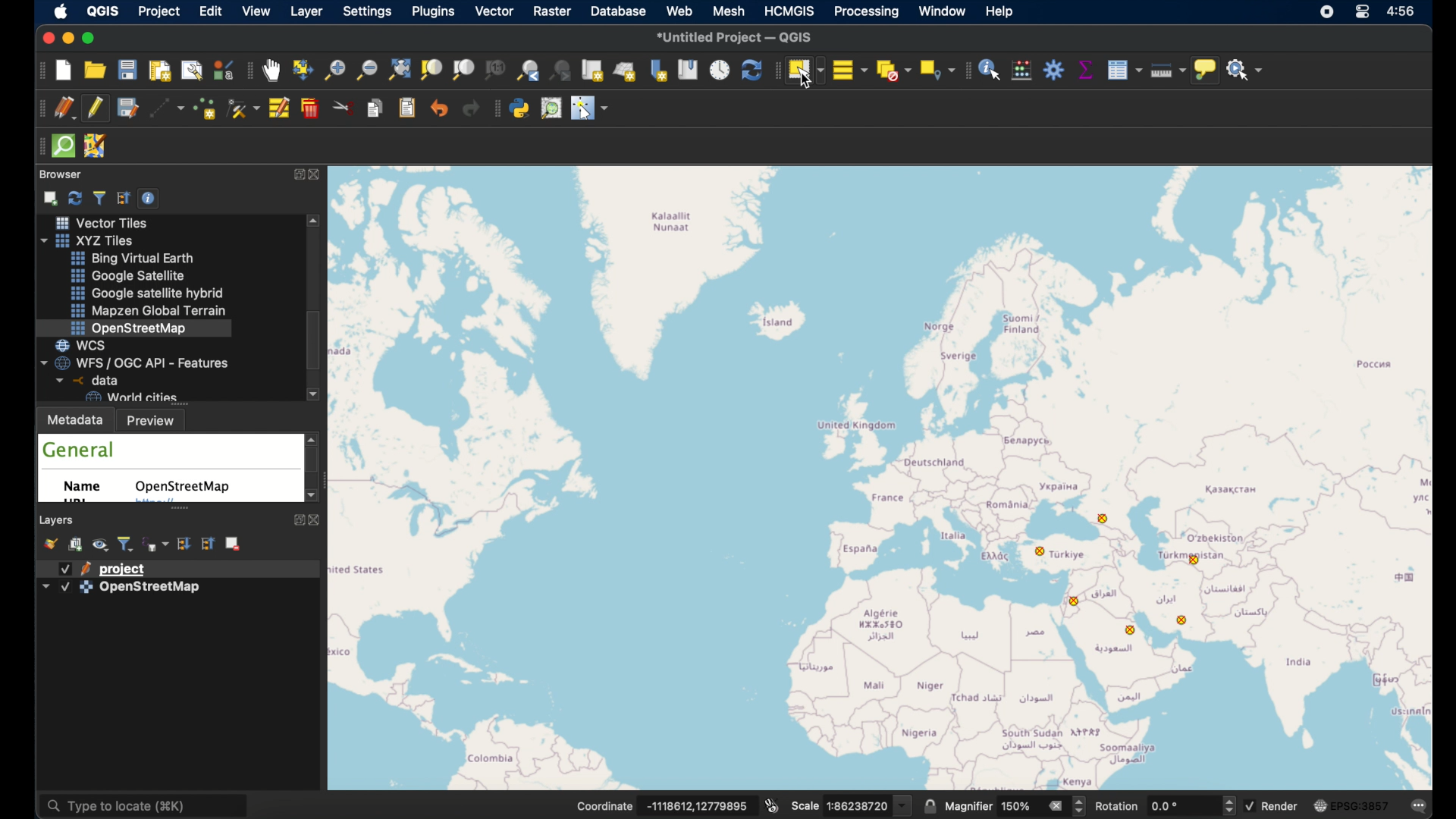 This screenshot has width=1456, height=819. Describe the element at coordinates (593, 71) in the screenshot. I see `new map view` at that location.